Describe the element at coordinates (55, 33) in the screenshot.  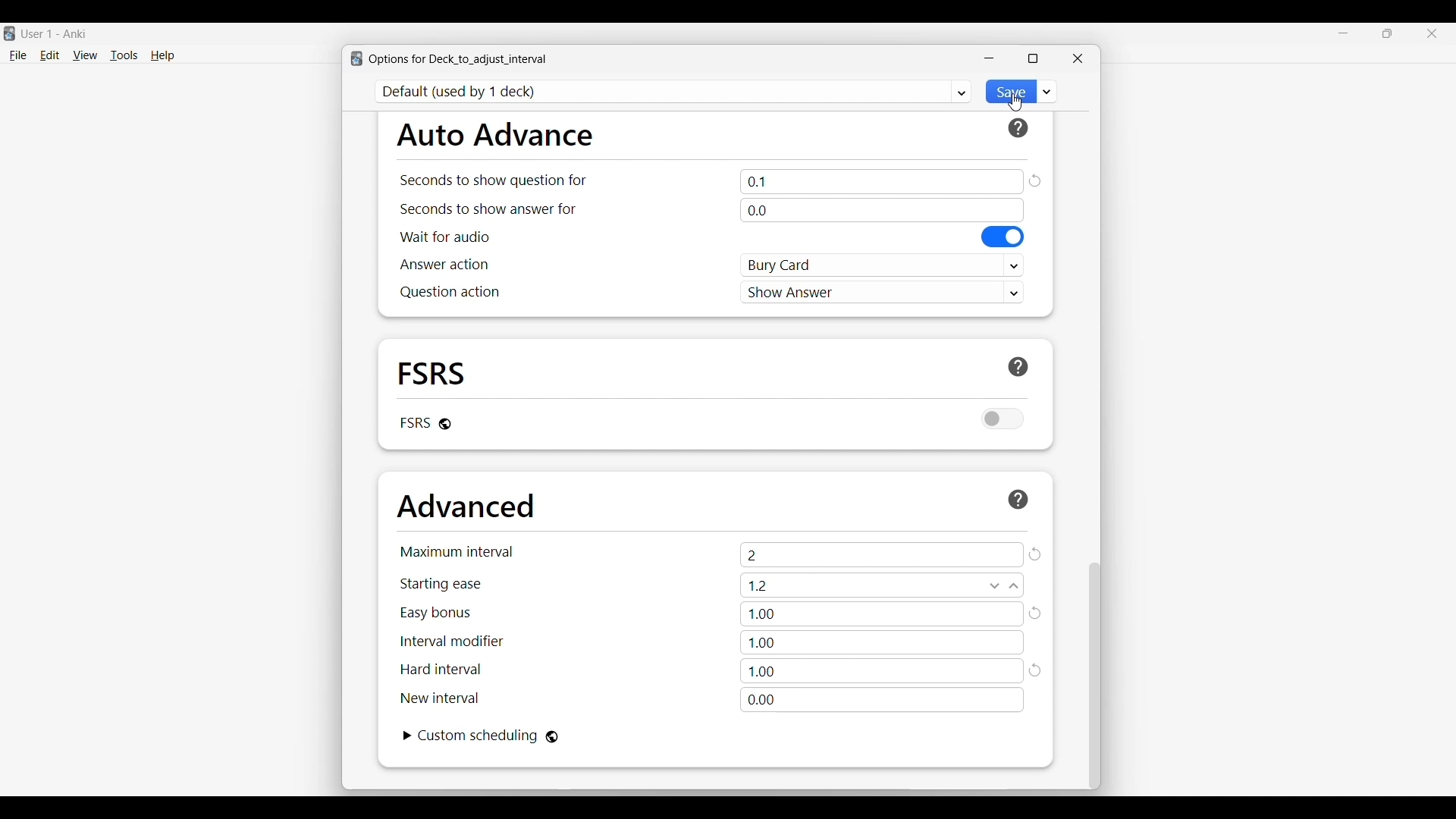
I see `User 1 - Anki` at that location.